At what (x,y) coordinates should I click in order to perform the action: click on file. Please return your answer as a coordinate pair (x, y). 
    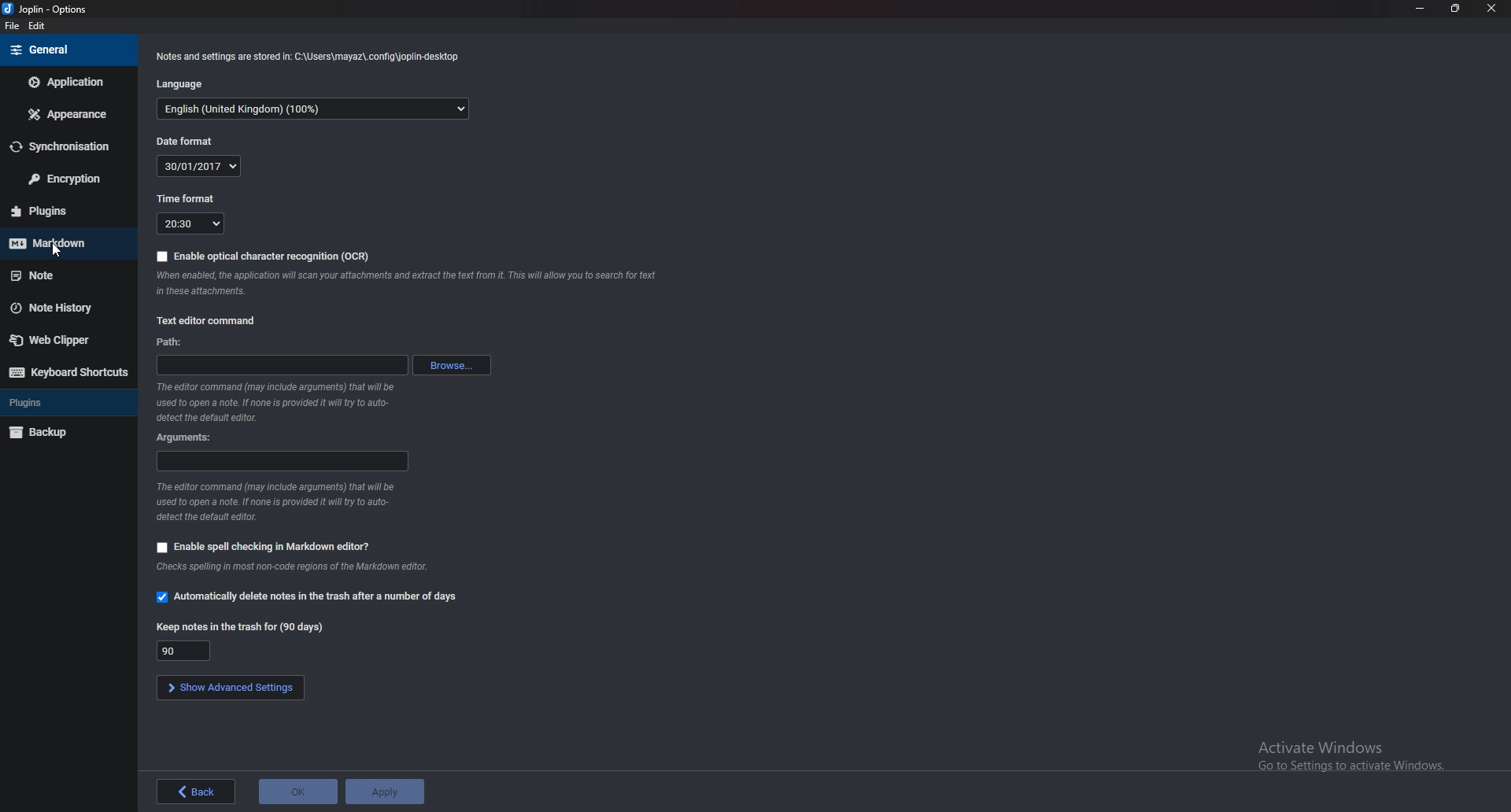
    Looking at the image, I should click on (11, 28).